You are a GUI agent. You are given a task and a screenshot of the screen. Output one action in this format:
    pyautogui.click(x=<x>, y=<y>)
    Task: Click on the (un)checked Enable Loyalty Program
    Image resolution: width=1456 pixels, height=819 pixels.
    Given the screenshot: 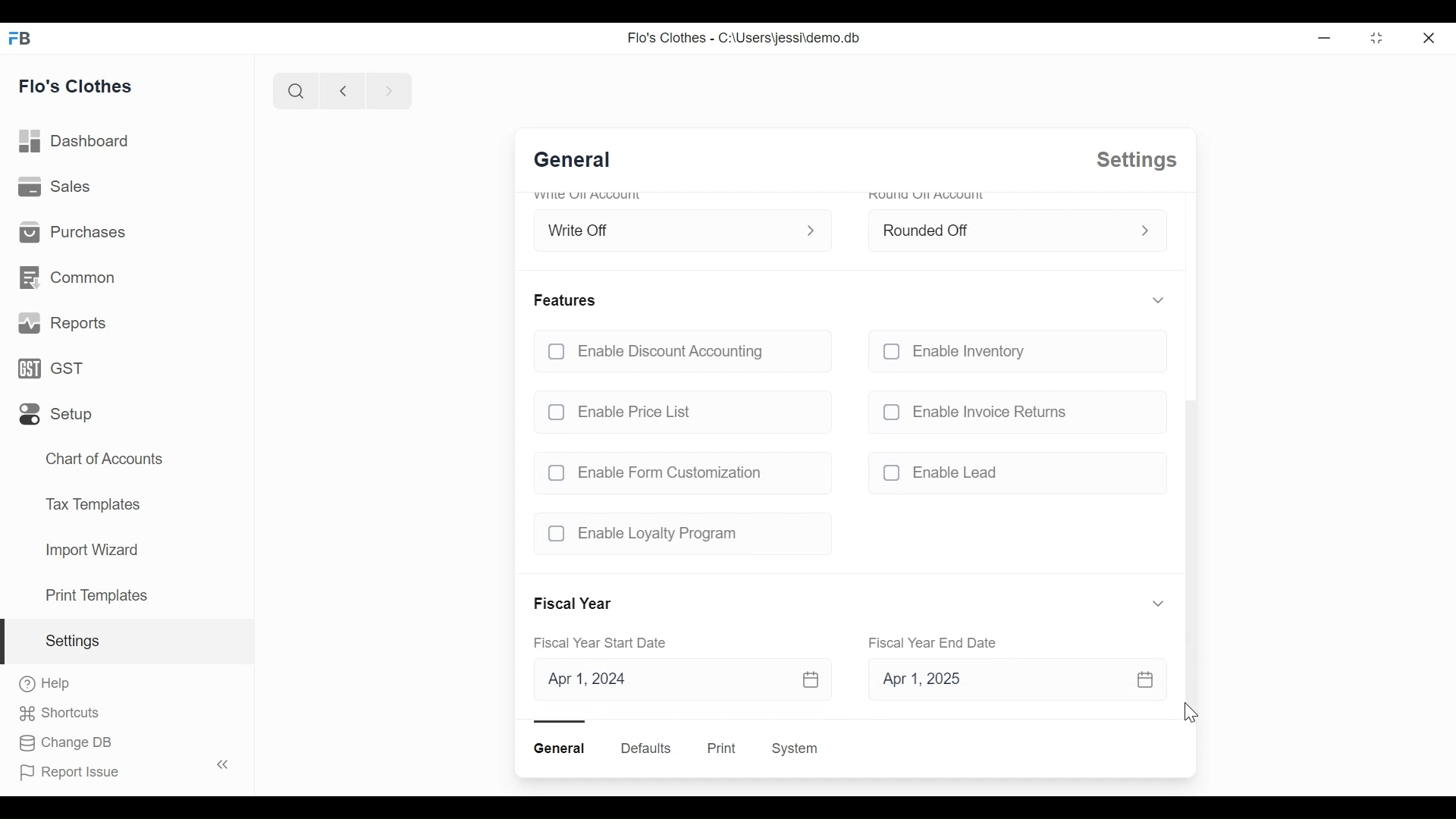 What is the action you would take?
    pyautogui.click(x=676, y=534)
    